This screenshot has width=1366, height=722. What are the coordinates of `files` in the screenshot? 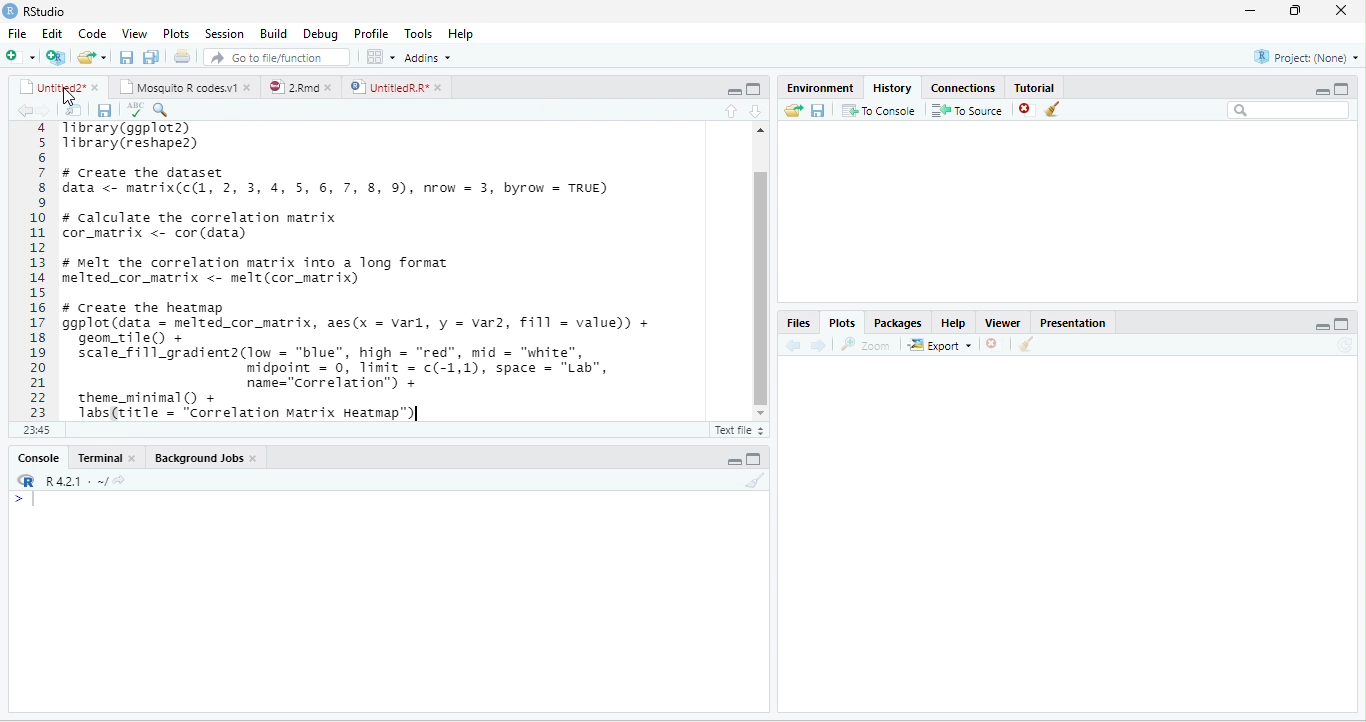 It's located at (797, 322).